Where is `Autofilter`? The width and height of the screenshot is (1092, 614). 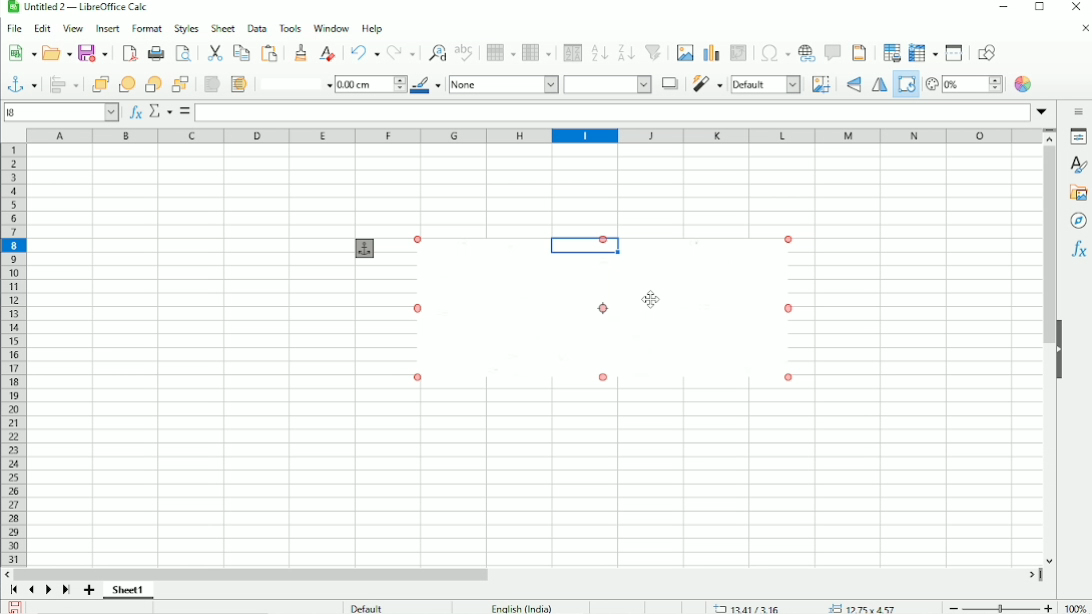
Autofilter is located at coordinates (655, 53).